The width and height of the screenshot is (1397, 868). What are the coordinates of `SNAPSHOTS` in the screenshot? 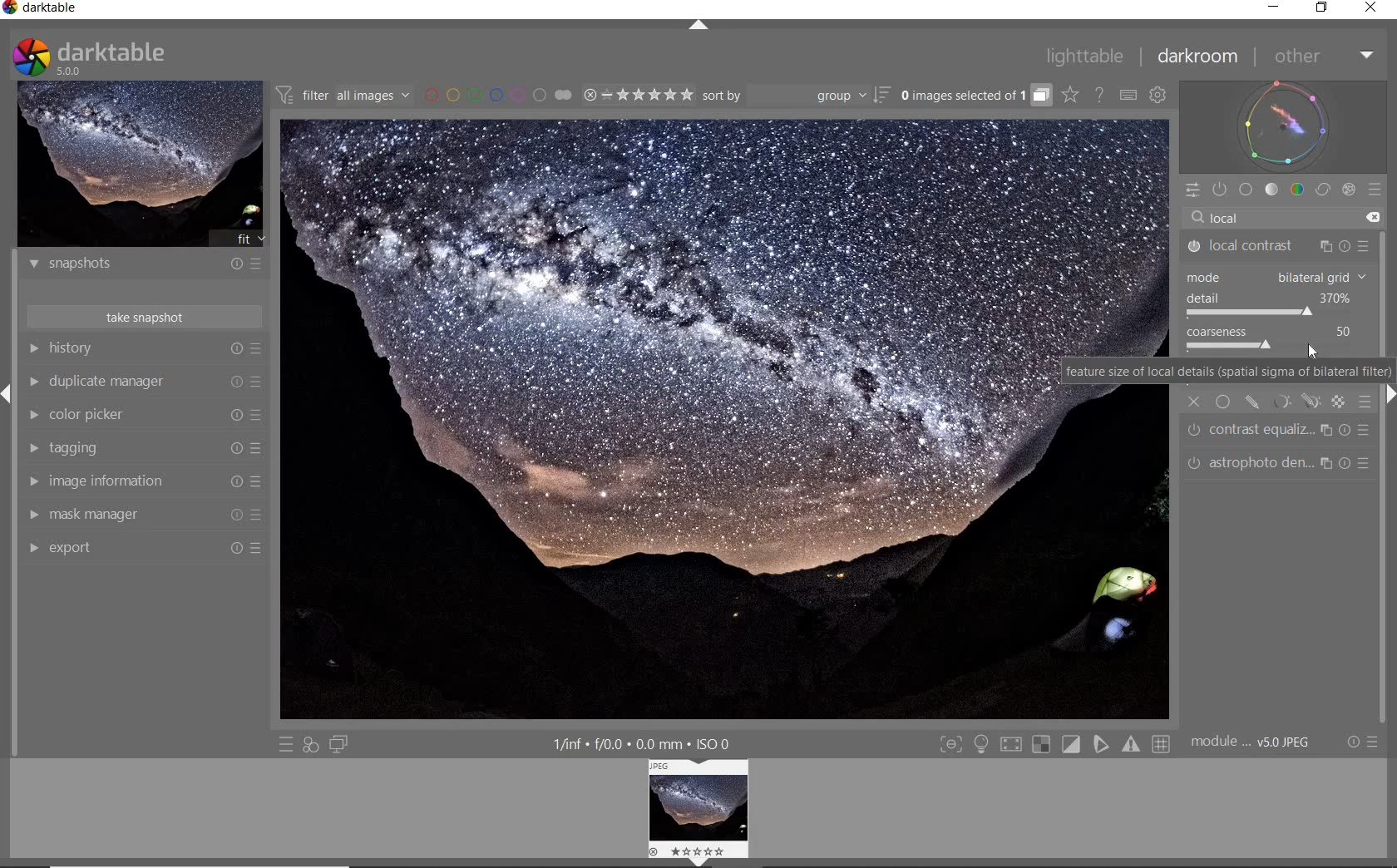 It's located at (121, 264).